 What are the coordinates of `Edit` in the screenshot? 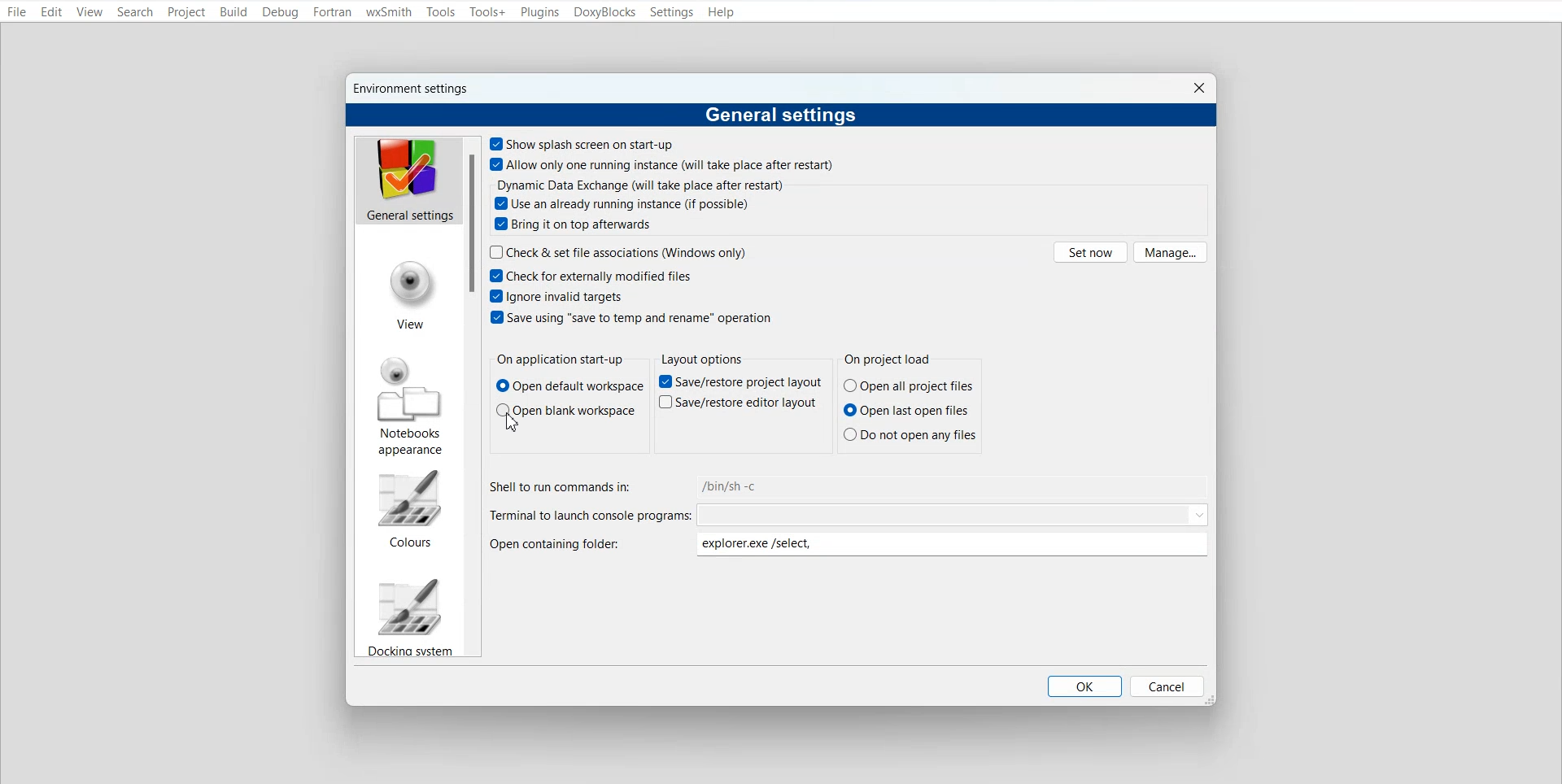 It's located at (51, 13).